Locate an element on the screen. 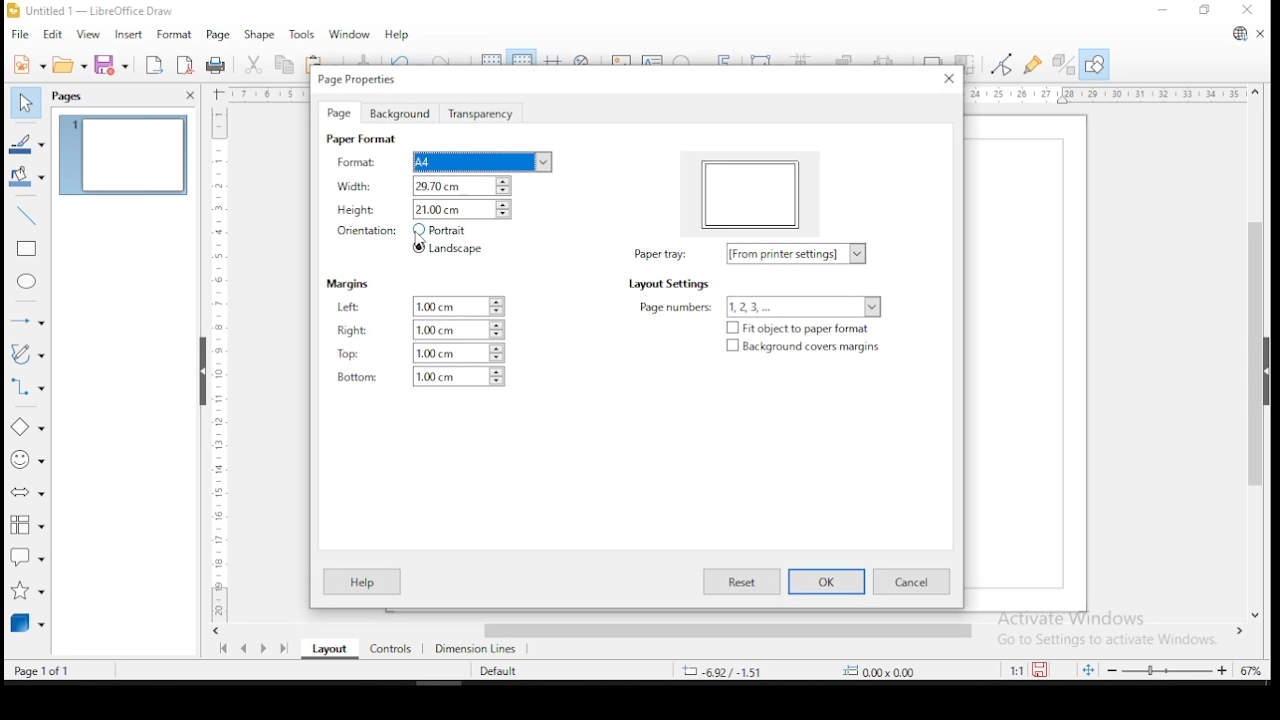 This screenshot has width=1280, height=720. reset is located at coordinates (744, 582).